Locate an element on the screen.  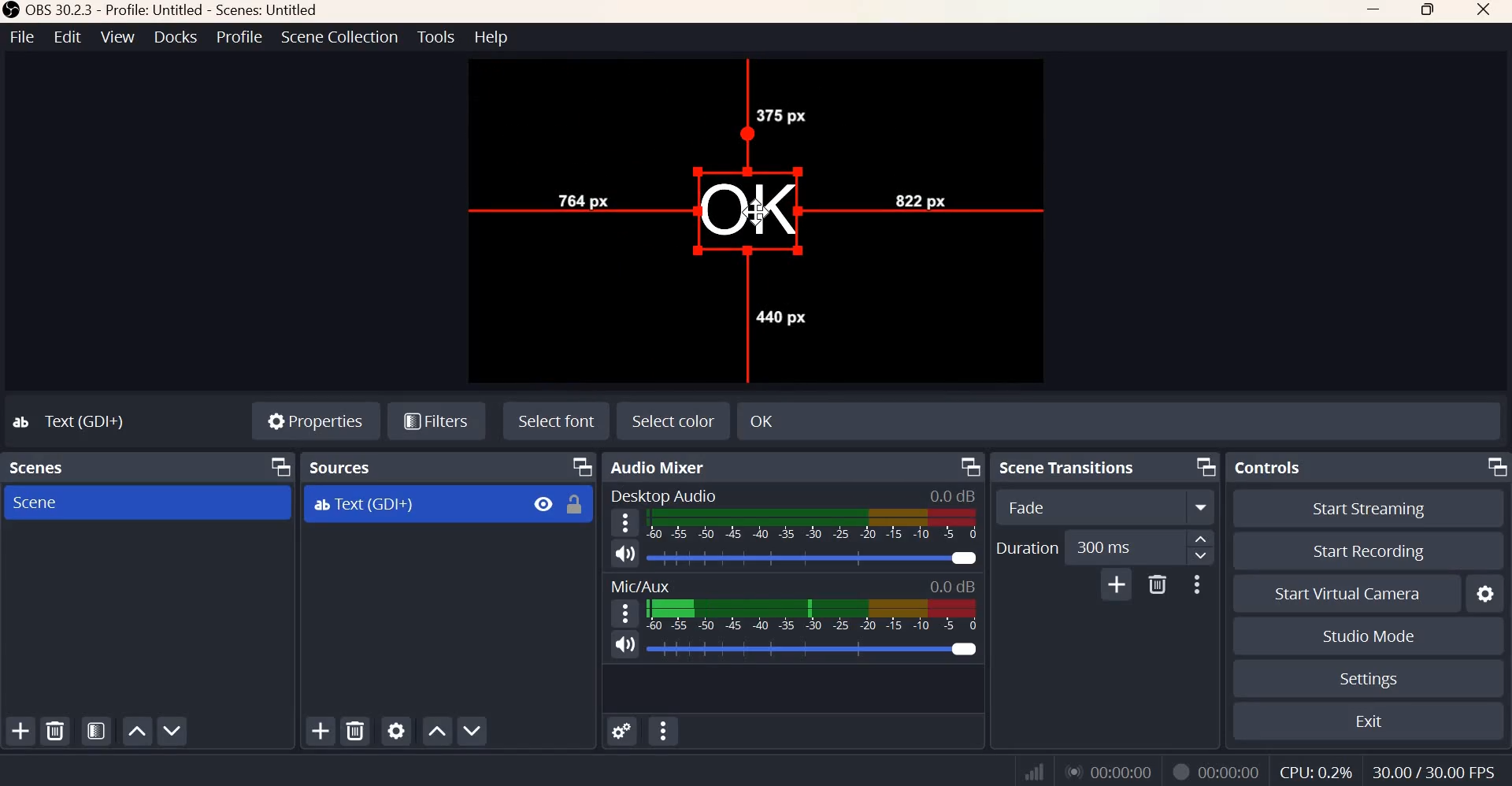
Dock Options icon is located at coordinates (971, 467).